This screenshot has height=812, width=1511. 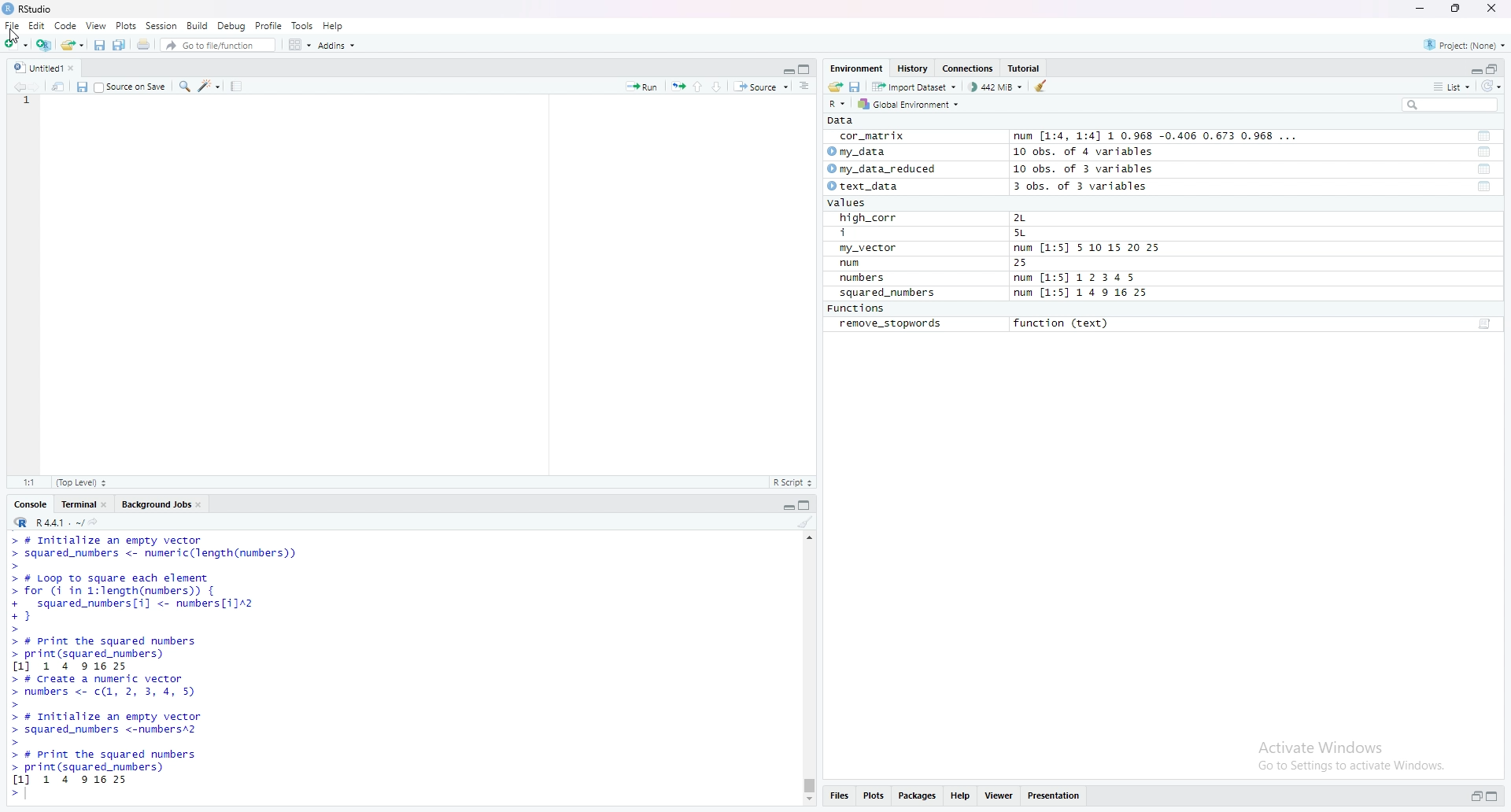 What do you see at coordinates (1036, 232) in the screenshot?
I see `5L` at bounding box center [1036, 232].